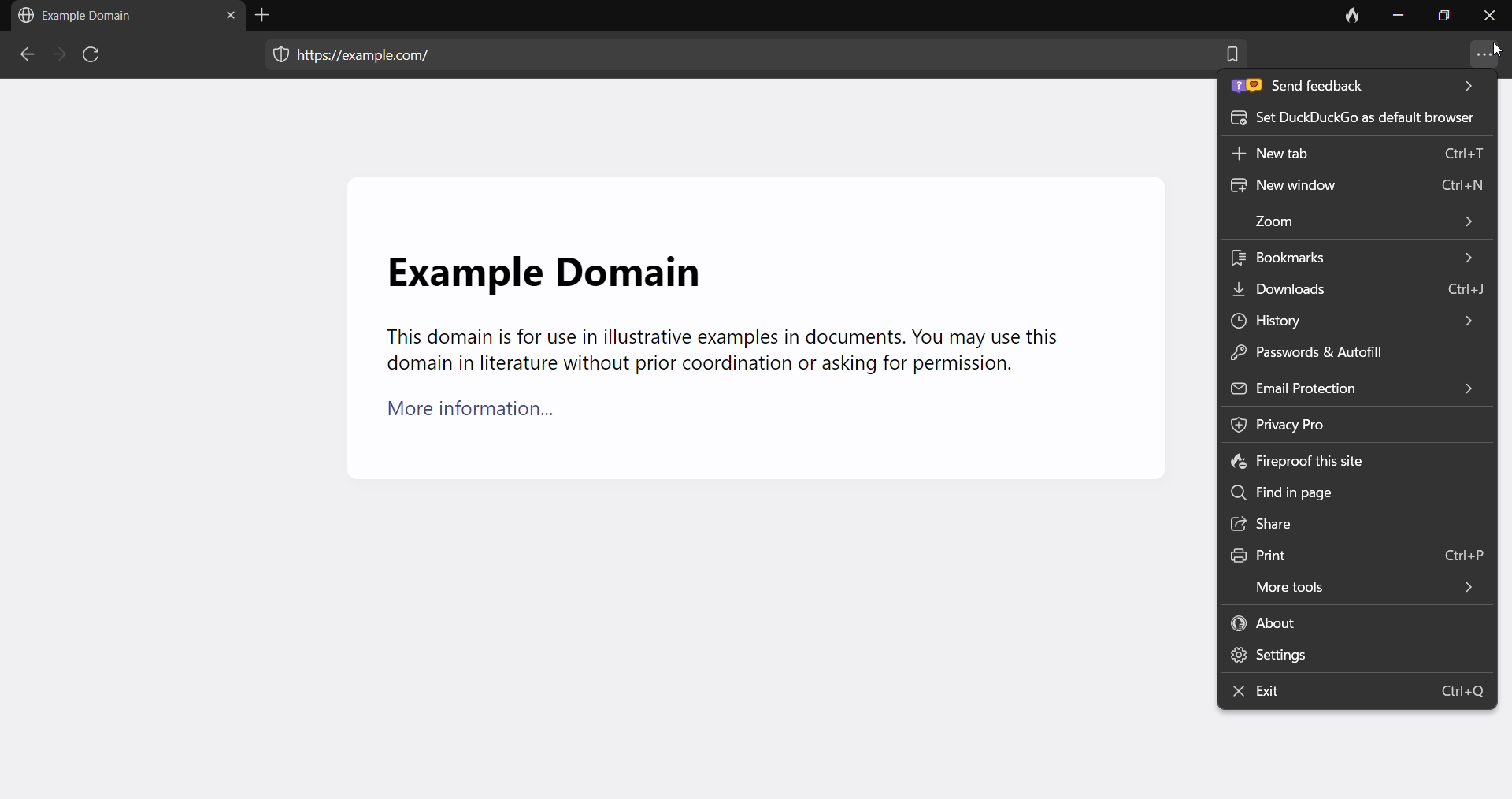 The height and width of the screenshot is (799, 1512). What do you see at coordinates (1358, 158) in the screenshot?
I see `new tab` at bounding box center [1358, 158].